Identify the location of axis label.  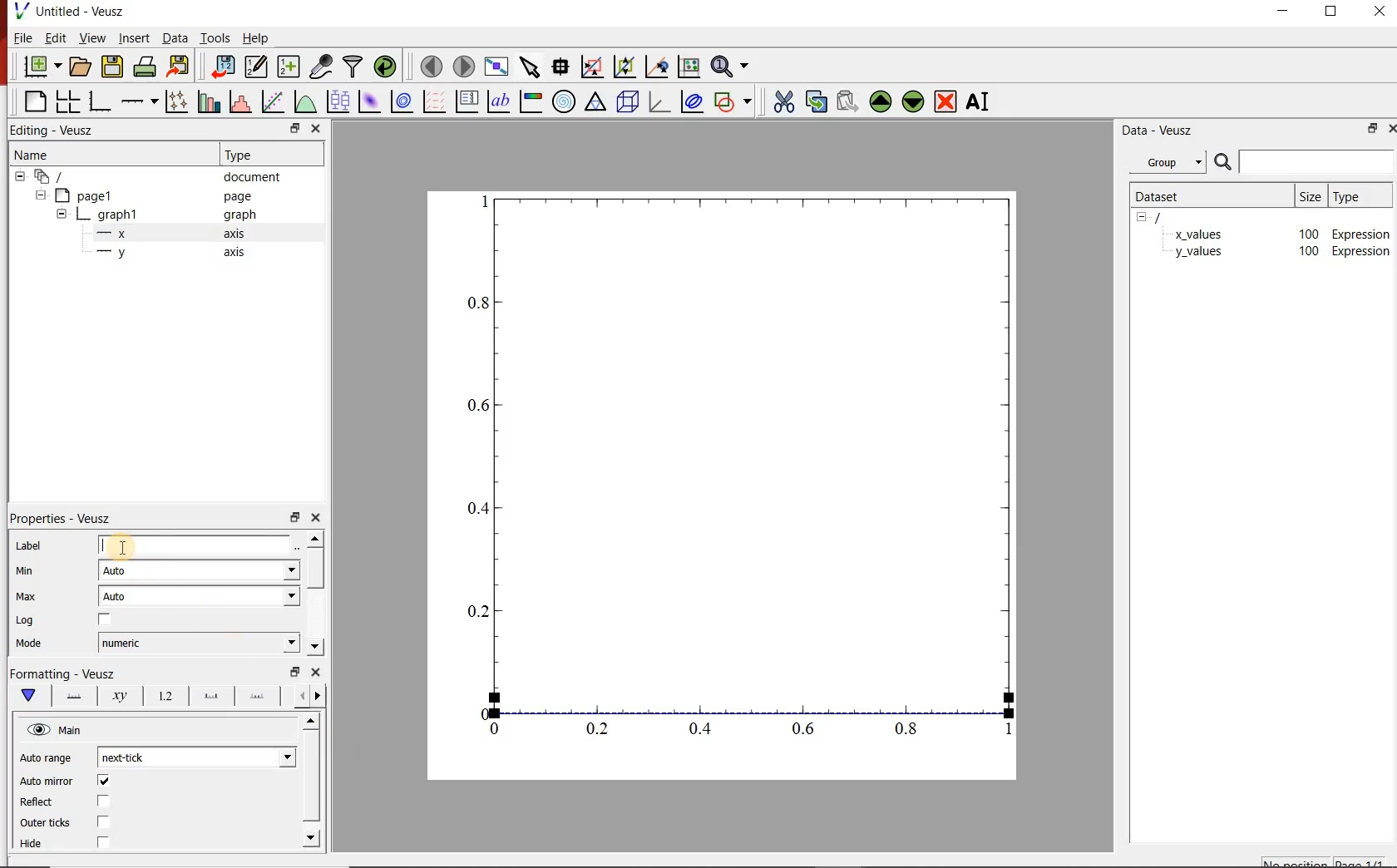
(121, 697).